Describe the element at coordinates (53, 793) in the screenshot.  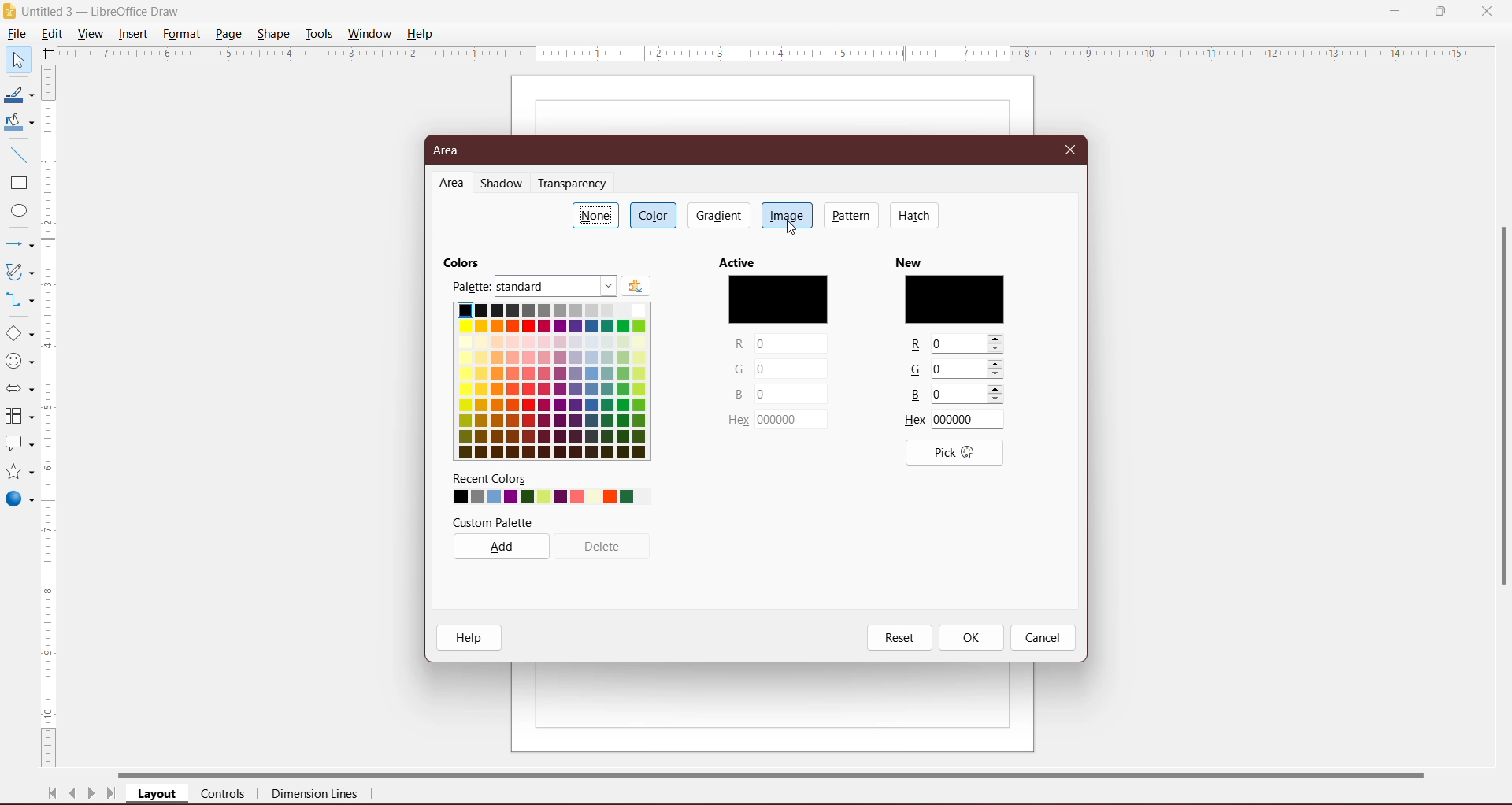
I see `Scroll to first page` at that location.